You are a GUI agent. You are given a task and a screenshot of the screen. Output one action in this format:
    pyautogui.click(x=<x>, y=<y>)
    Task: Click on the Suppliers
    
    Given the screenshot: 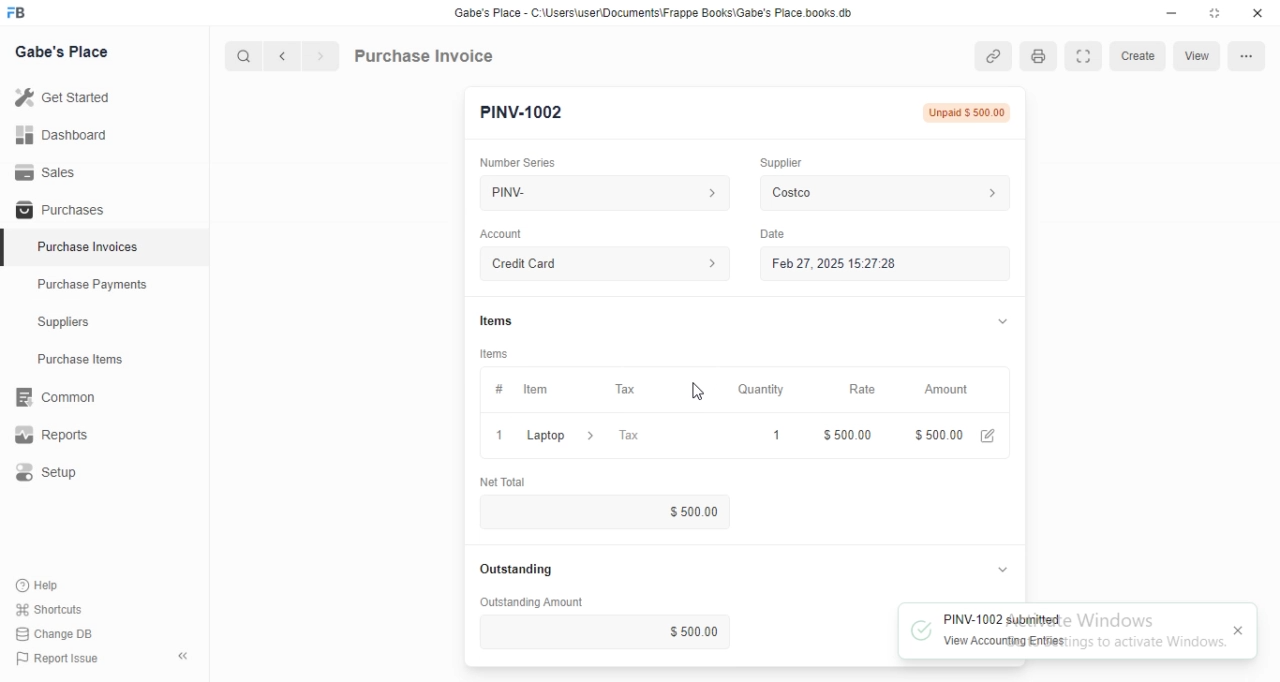 What is the action you would take?
    pyautogui.click(x=104, y=321)
    